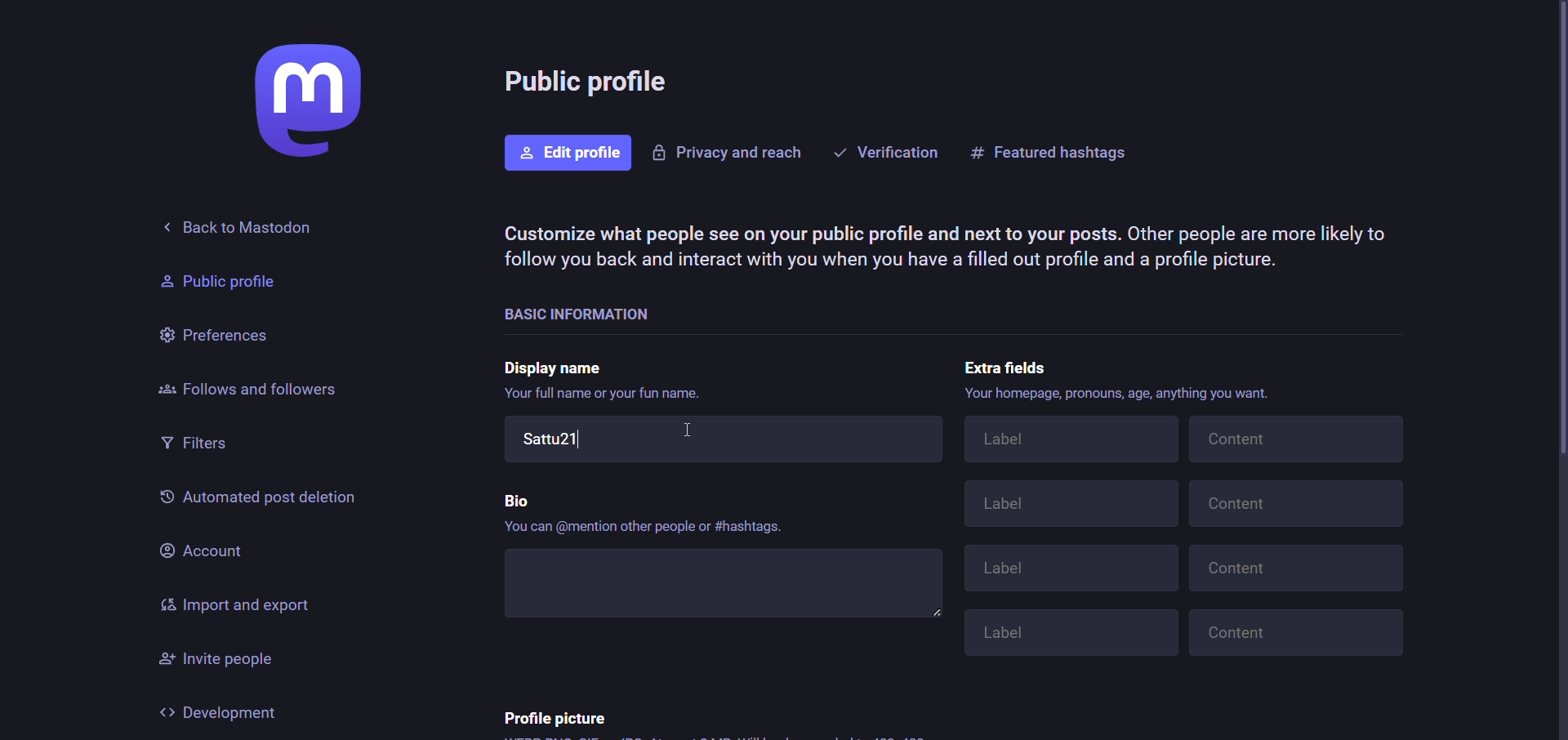  What do you see at coordinates (222, 712) in the screenshot?
I see `development` at bounding box center [222, 712].